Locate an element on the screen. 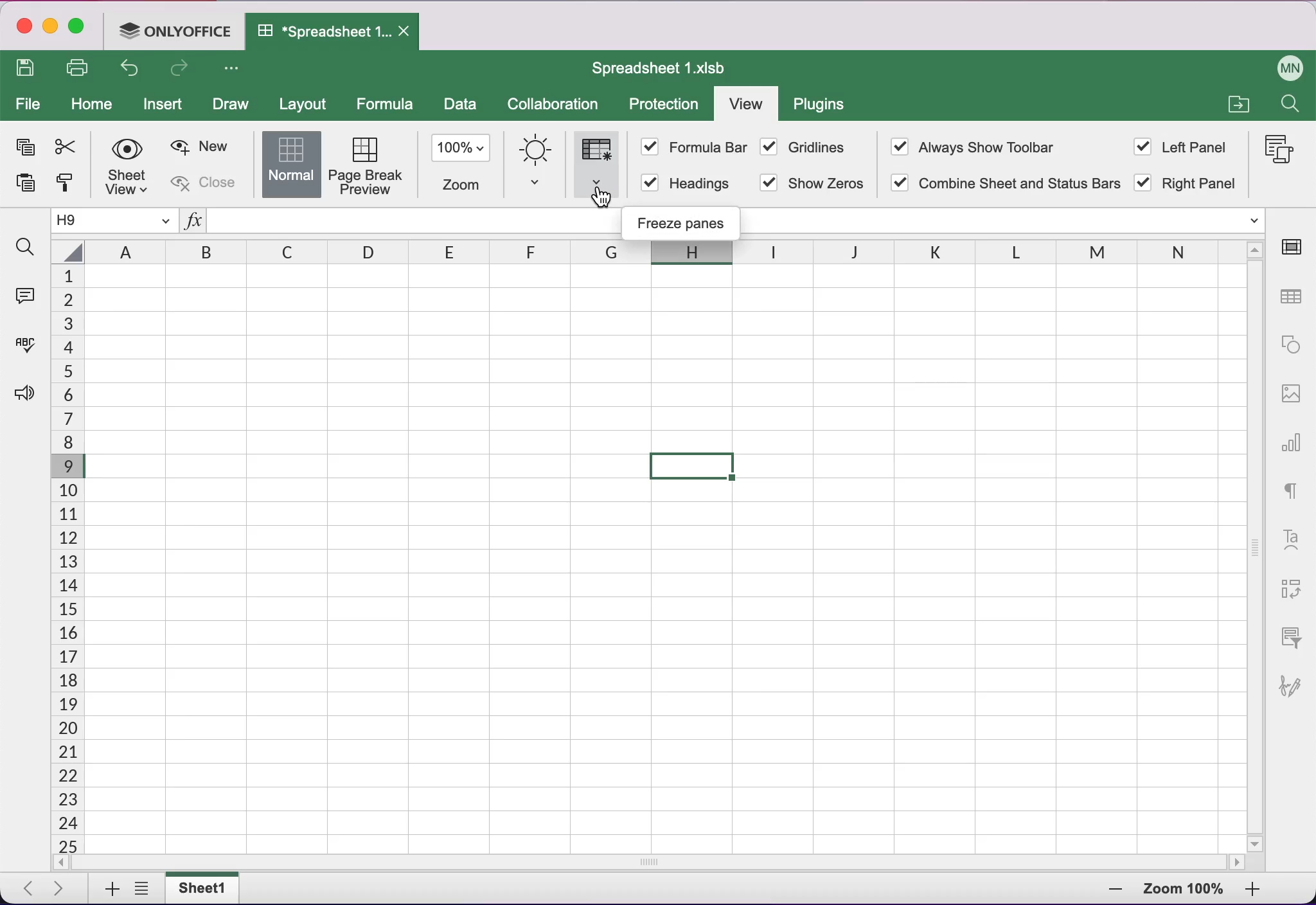  selected cell is located at coordinates (691, 465).